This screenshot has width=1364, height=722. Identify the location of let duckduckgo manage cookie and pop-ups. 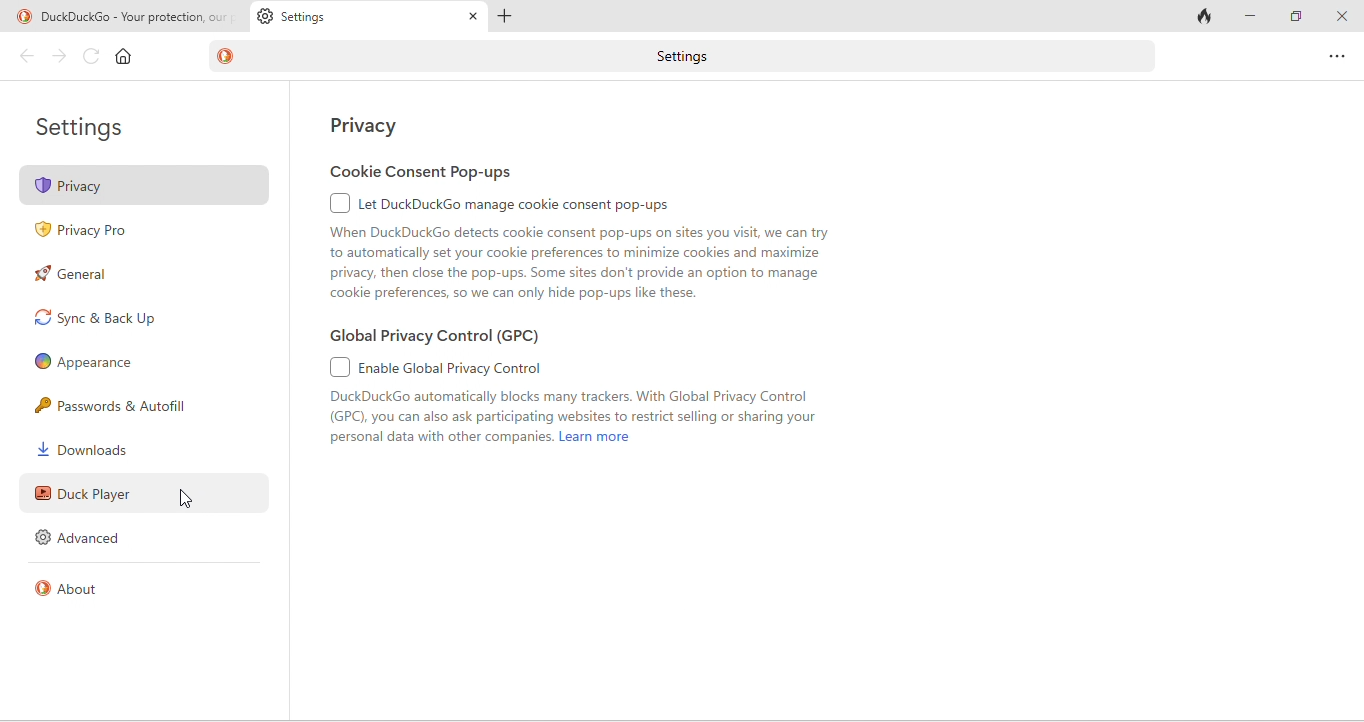
(584, 247).